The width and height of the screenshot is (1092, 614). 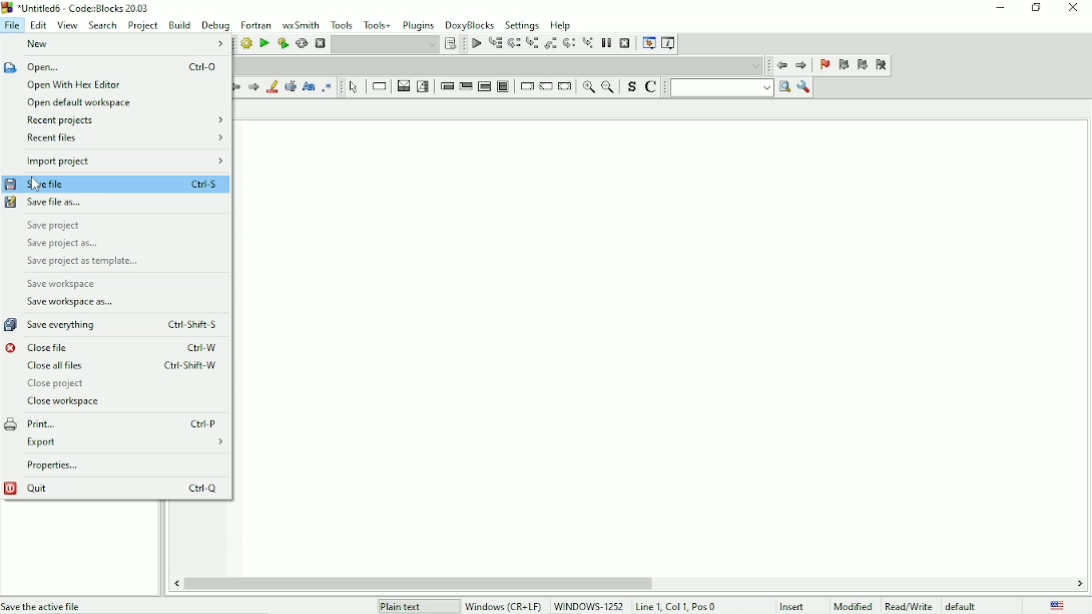 What do you see at coordinates (103, 24) in the screenshot?
I see `Search` at bounding box center [103, 24].